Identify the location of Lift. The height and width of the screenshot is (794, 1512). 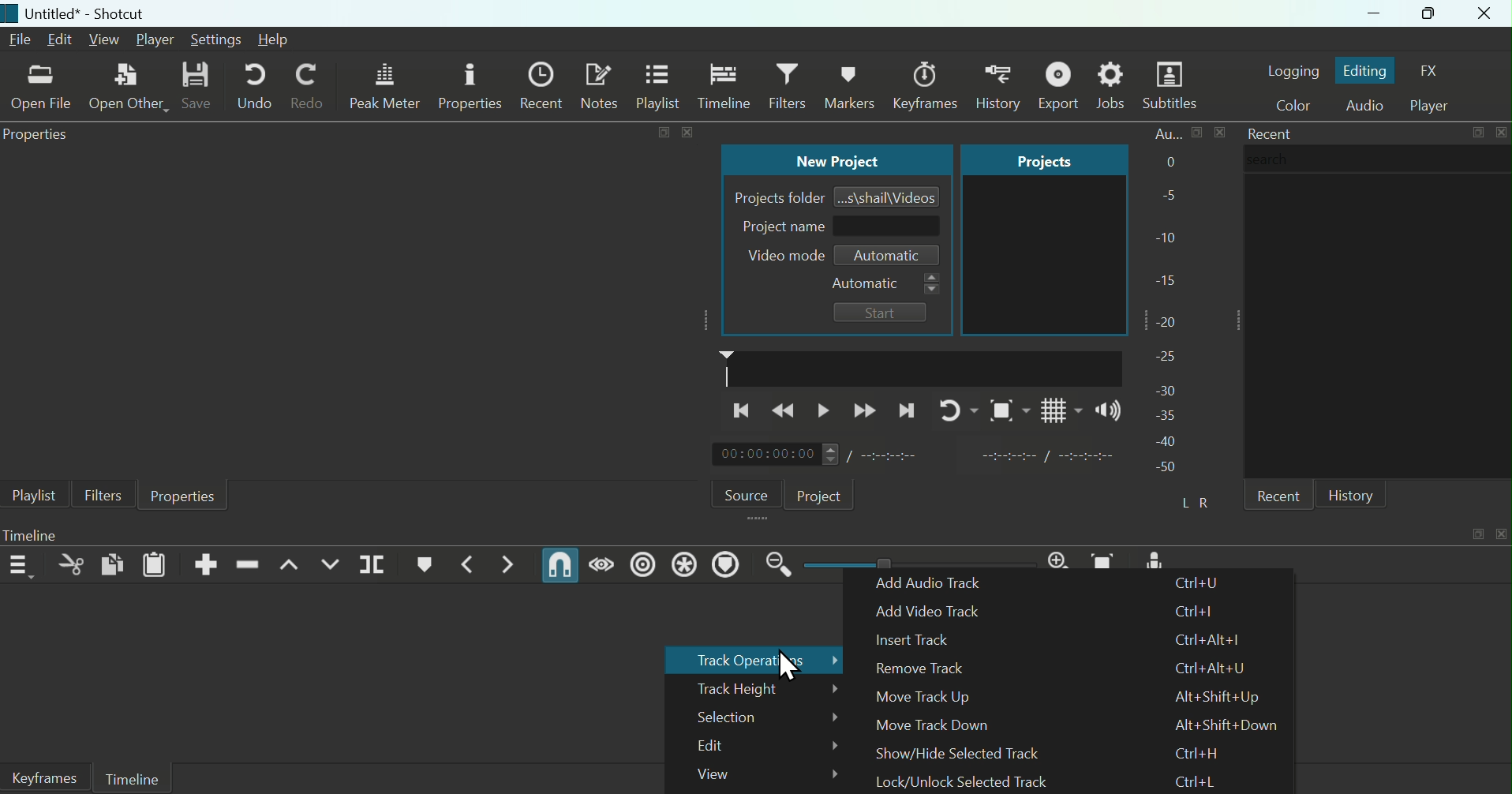
(288, 564).